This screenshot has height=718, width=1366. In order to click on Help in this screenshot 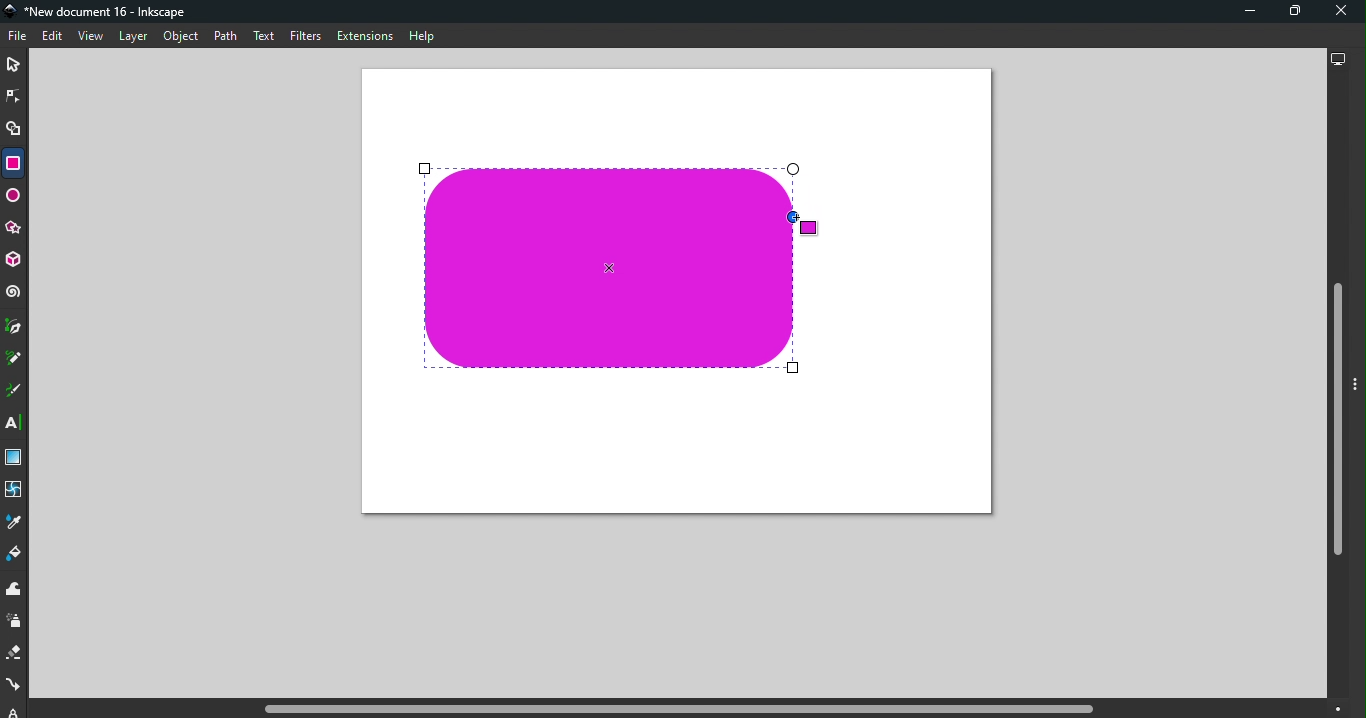, I will do `click(422, 36)`.